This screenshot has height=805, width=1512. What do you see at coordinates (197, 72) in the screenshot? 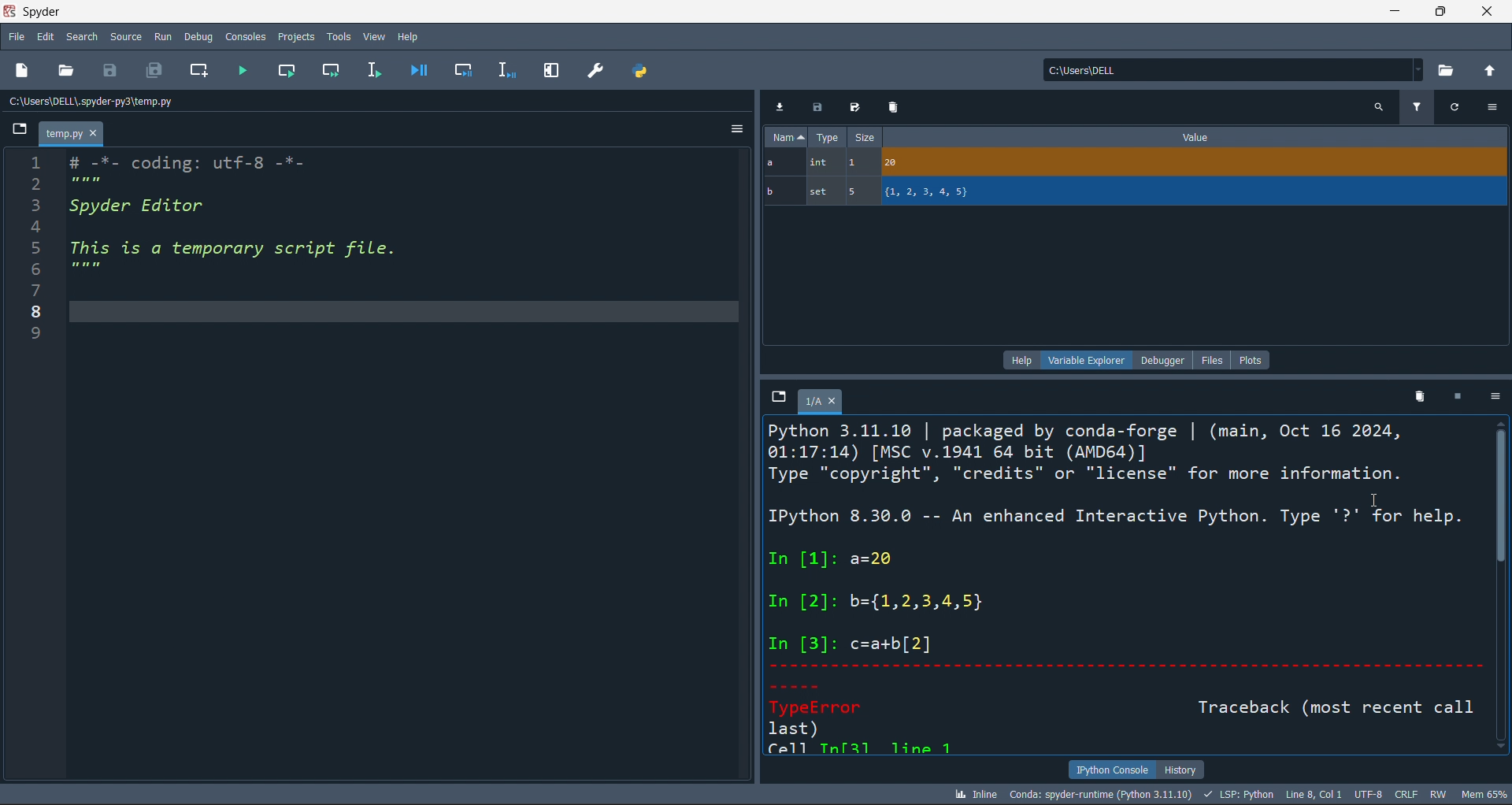
I see `create cell` at bounding box center [197, 72].